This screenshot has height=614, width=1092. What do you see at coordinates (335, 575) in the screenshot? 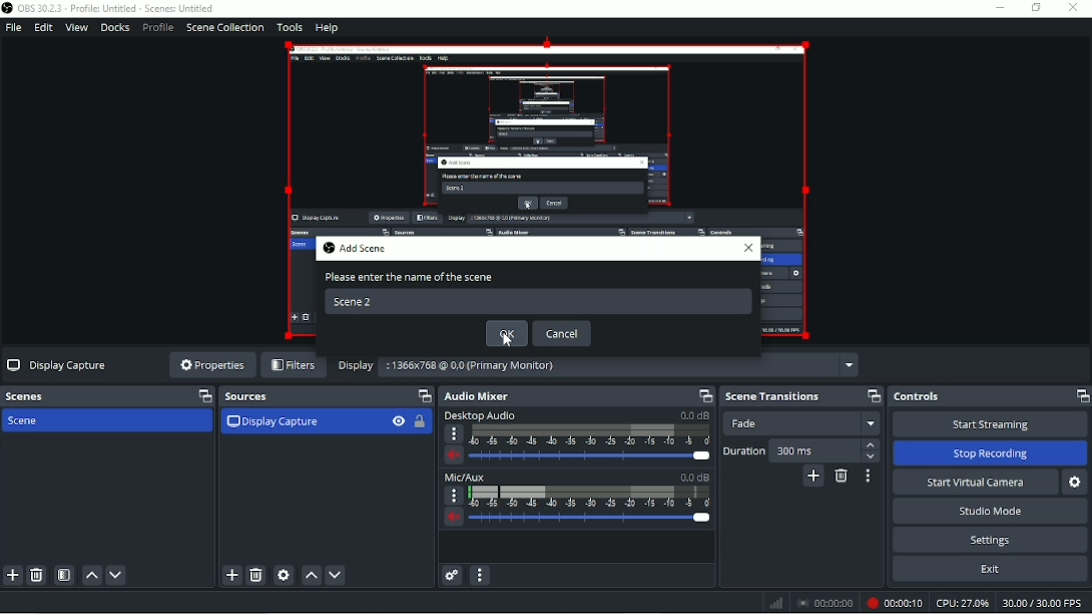
I see `Move source(s) down` at bounding box center [335, 575].